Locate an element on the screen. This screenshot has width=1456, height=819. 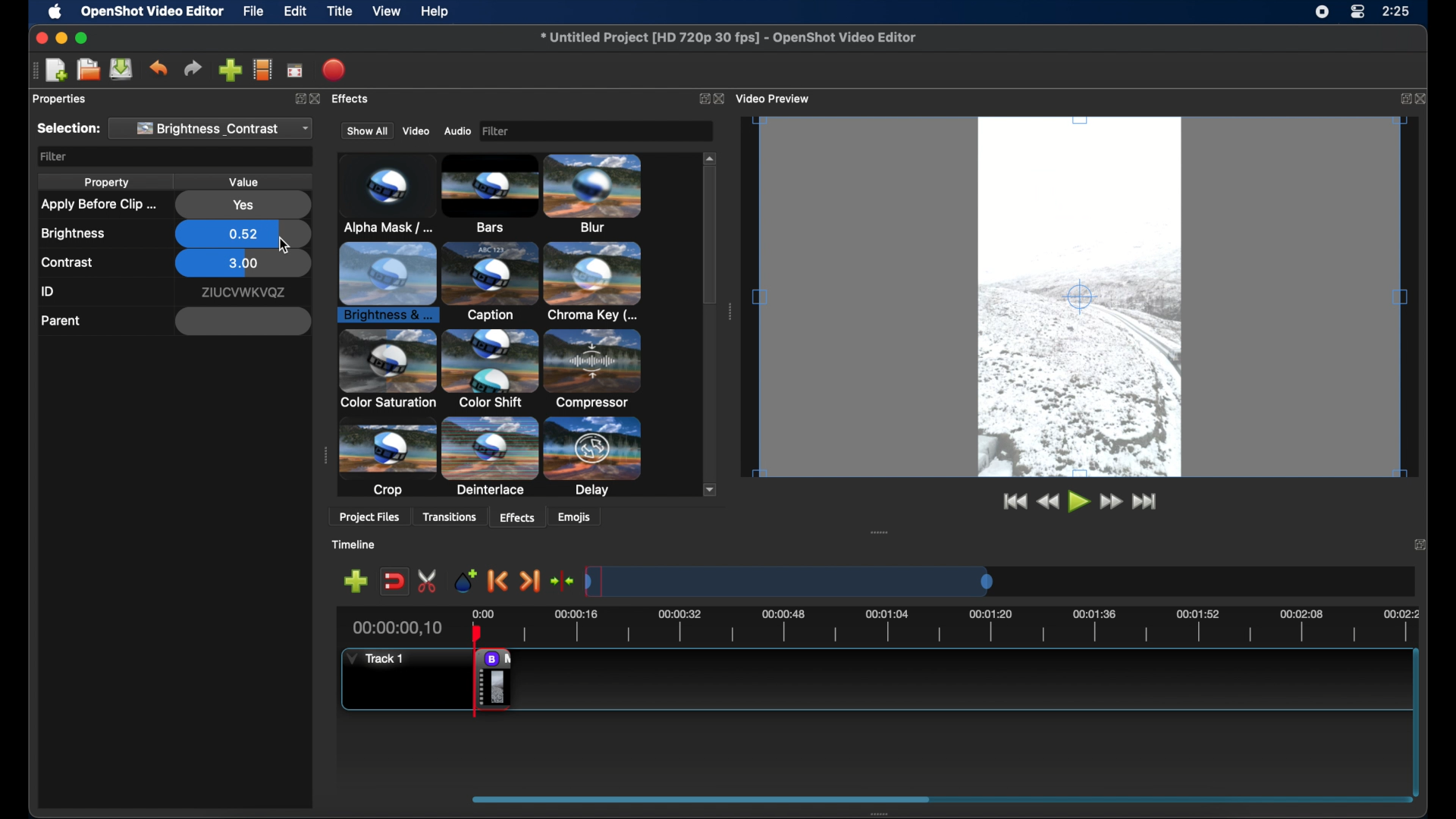
expand is located at coordinates (1403, 99).